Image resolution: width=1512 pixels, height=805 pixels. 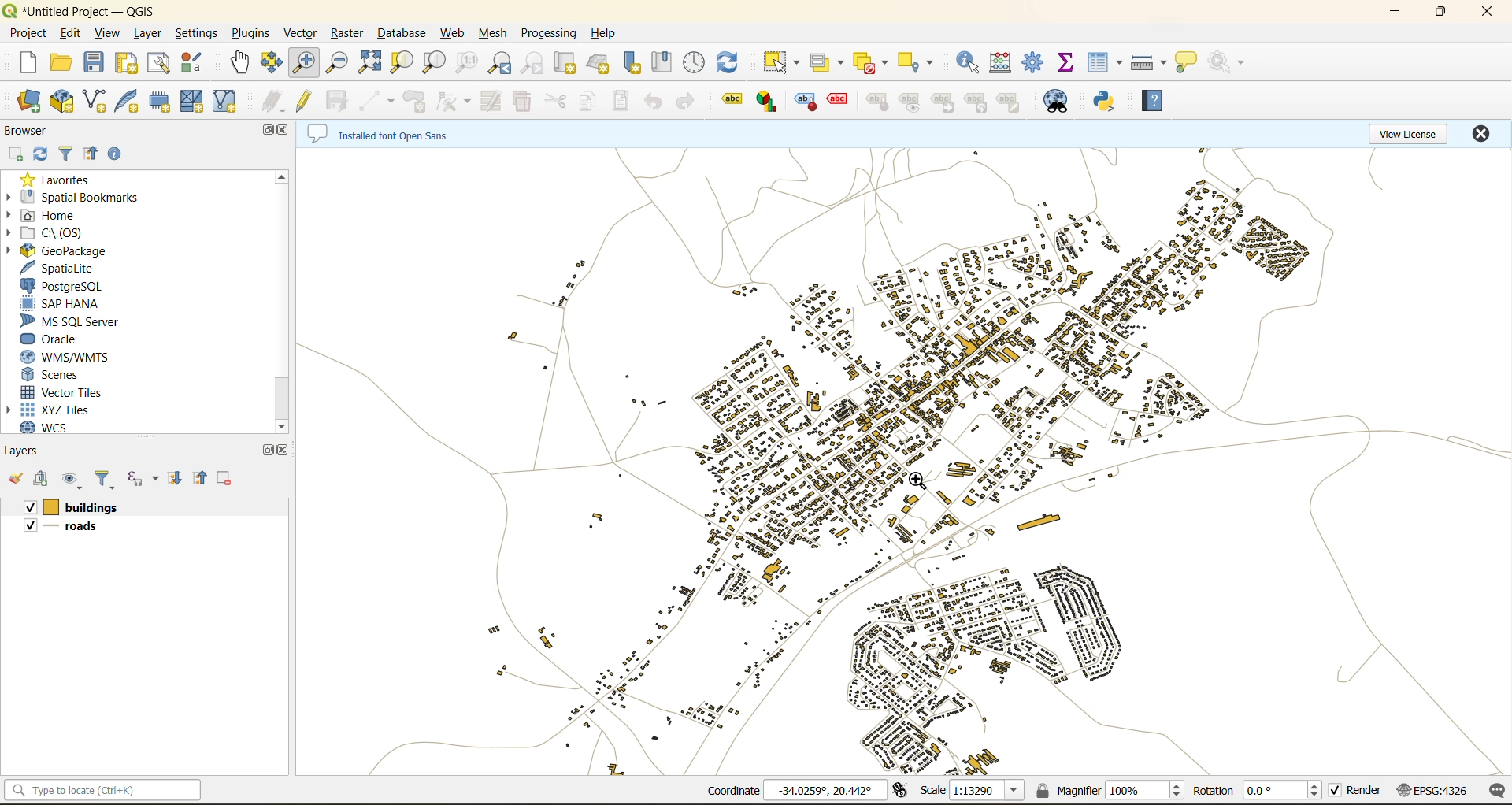 What do you see at coordinates (41, 480) in the screenshot?
I see `add` at bounding box center [41, 480].